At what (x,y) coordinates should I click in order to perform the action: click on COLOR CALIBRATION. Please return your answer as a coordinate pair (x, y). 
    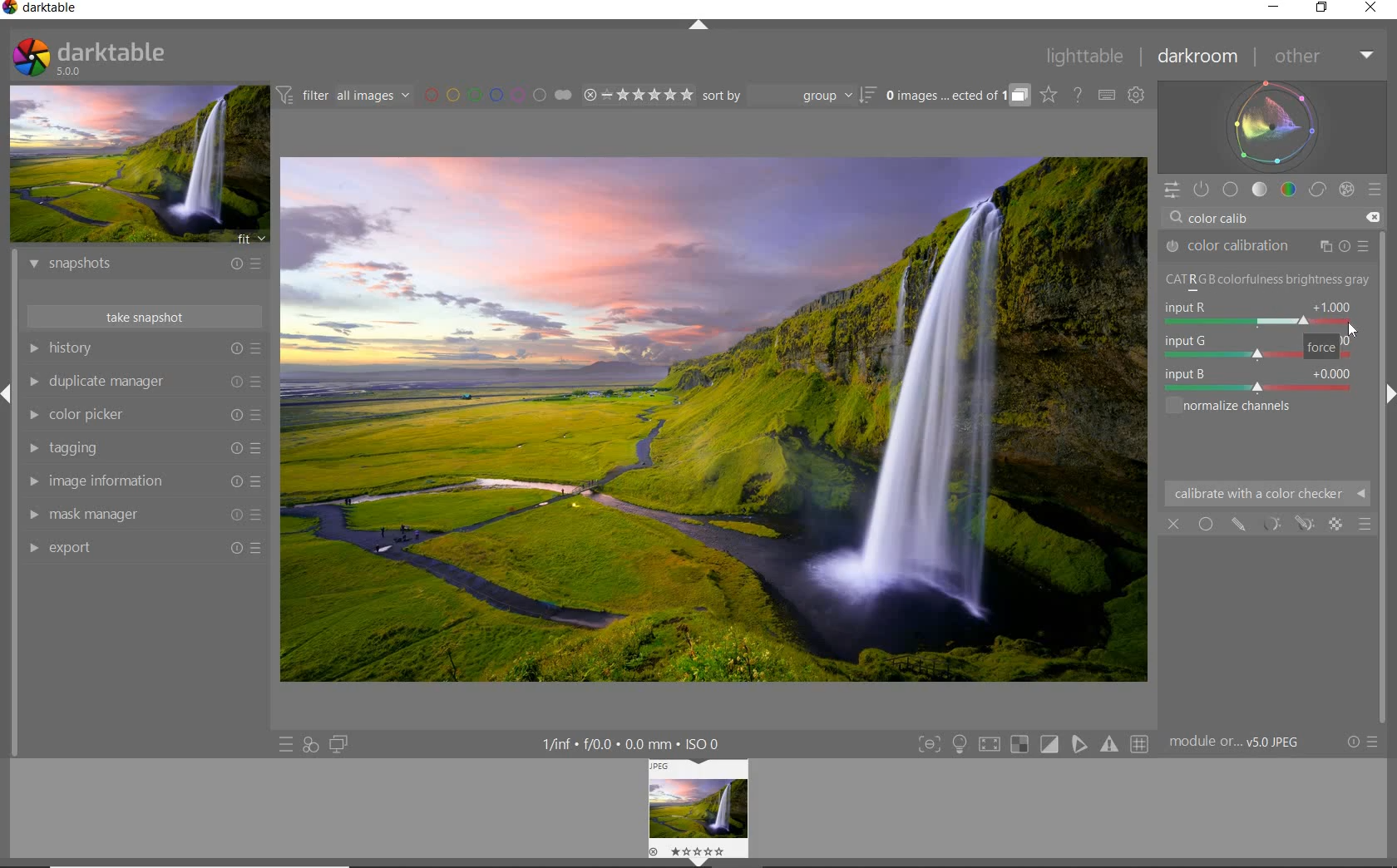
    Looking at the image, I should click on (1266, 246).